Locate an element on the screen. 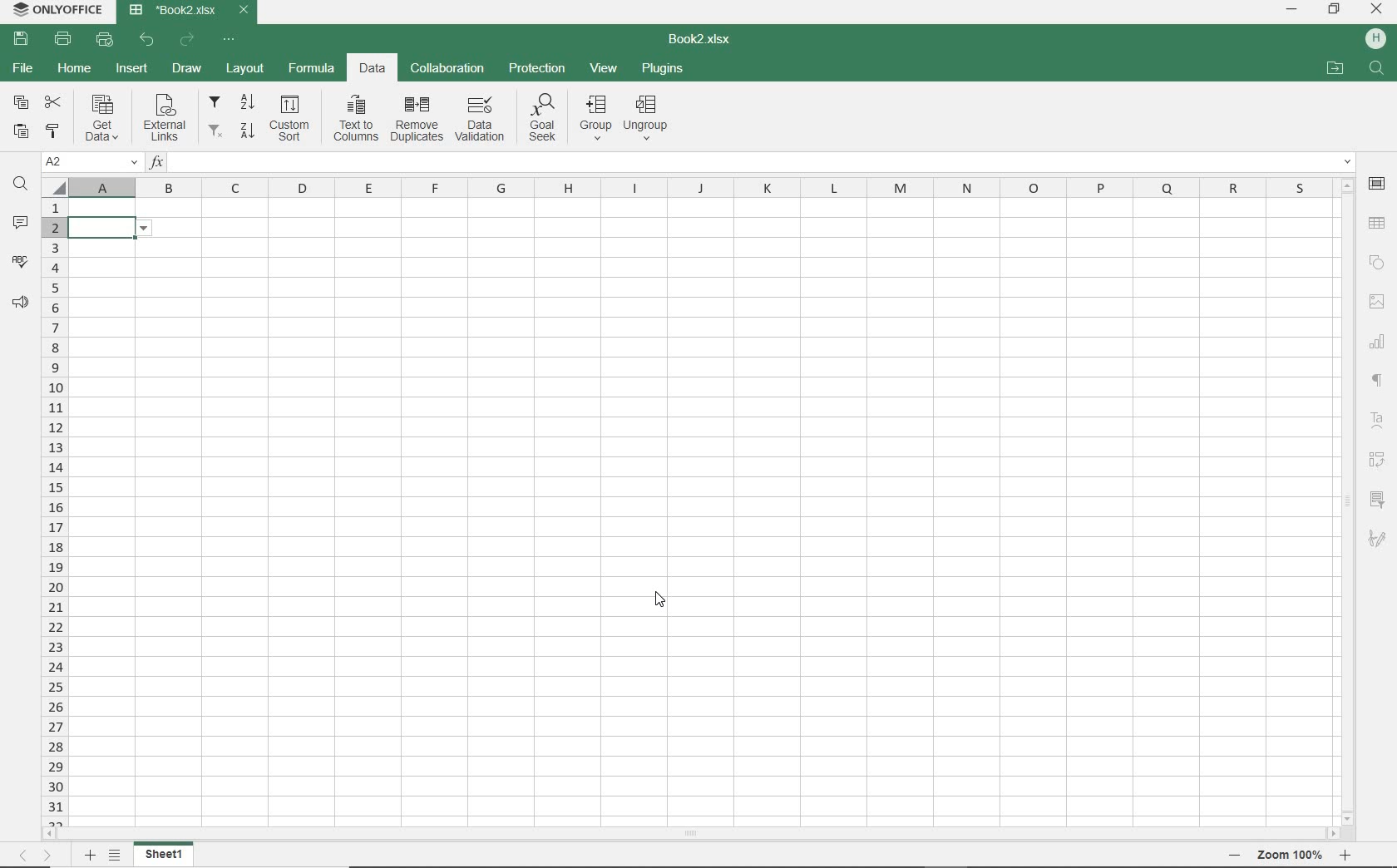  SLICER is located at coordinates (1377, 501).